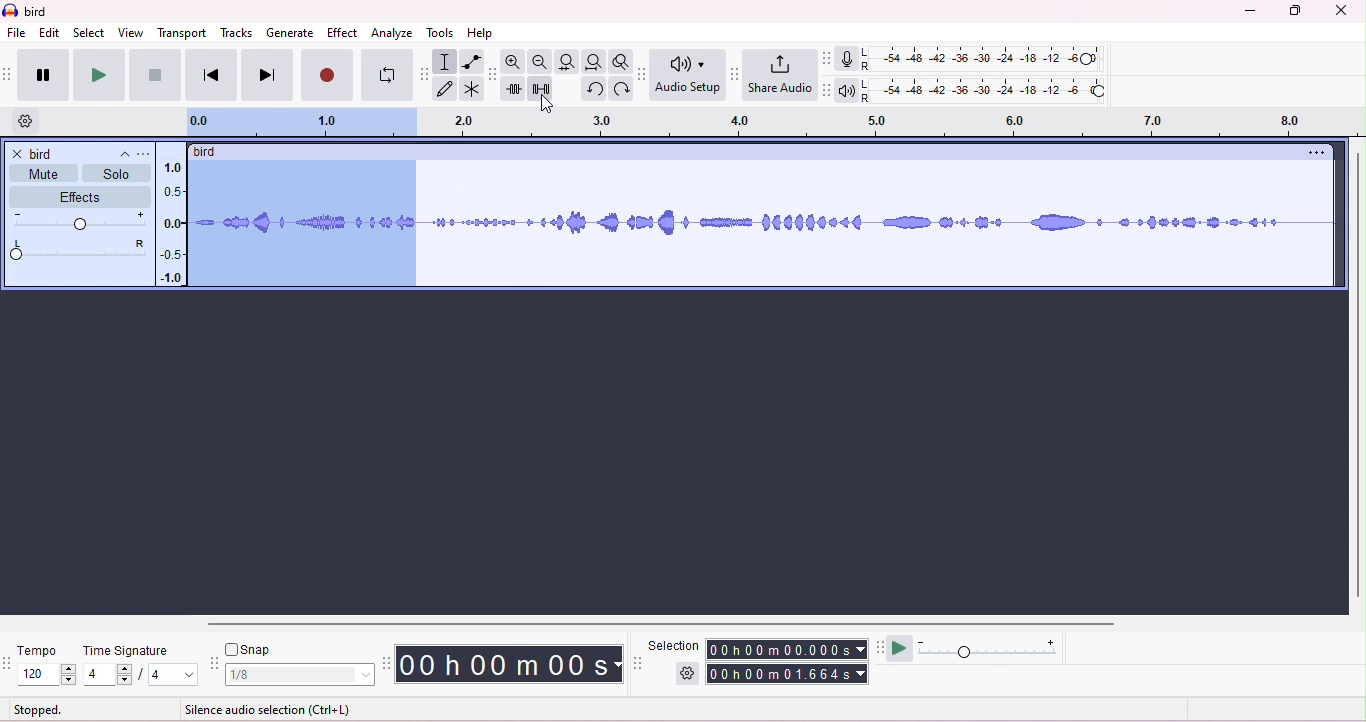 This screenshot has width=1366, height=722. I want to click on close, so click(1340, 10).